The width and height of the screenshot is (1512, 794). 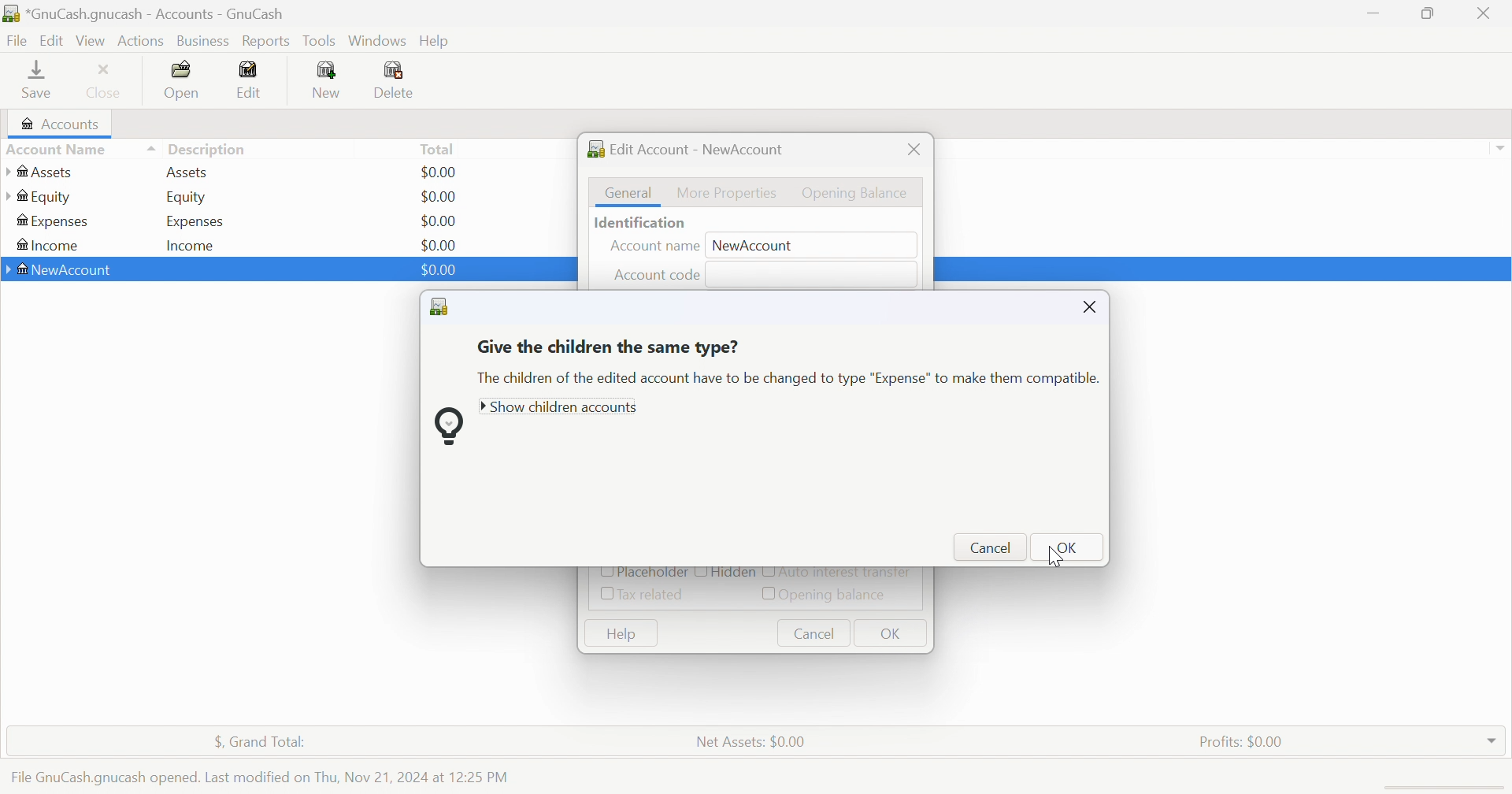 What do you see at coordinates (1369, 9) in the screenshot?
I see `Minimize` at bounding box center [1369, 9].